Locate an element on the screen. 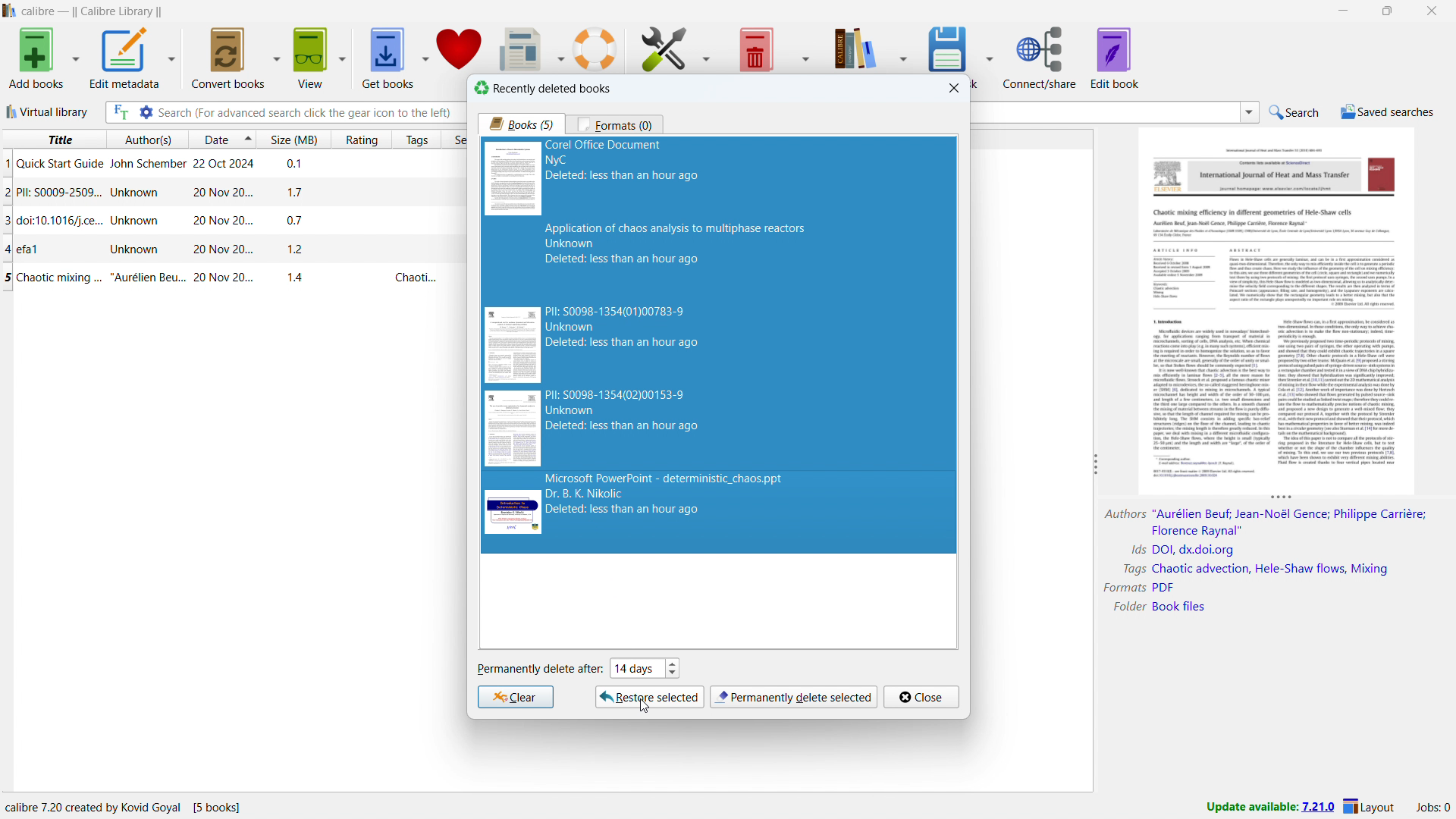  preferences options is located at coordinates (710, 47).